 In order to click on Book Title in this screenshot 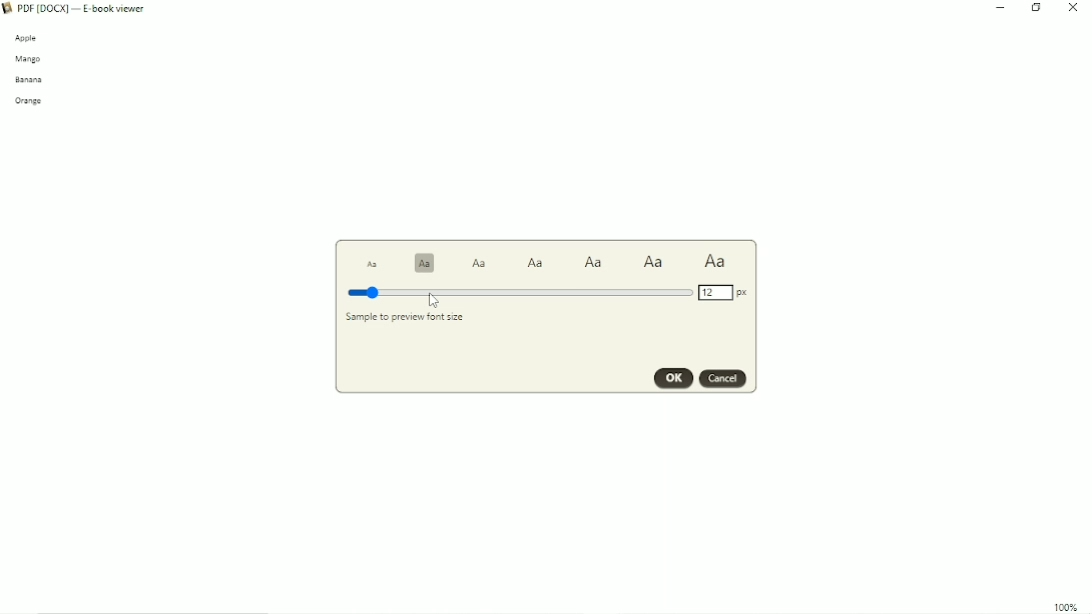, I will do `click(87, 8)`.